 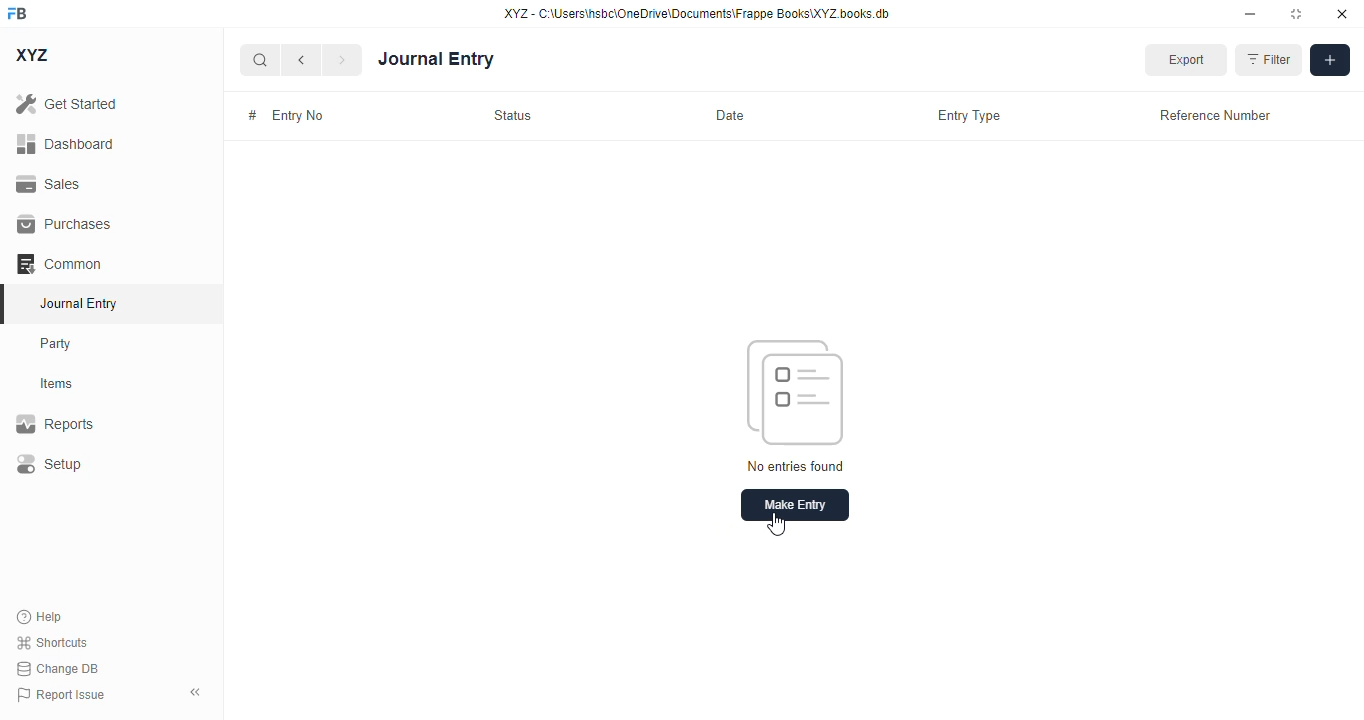 What do you see at coordinates (80, 303) in the screenshot?
I see `journal entry` at bounding box center [80, 303].